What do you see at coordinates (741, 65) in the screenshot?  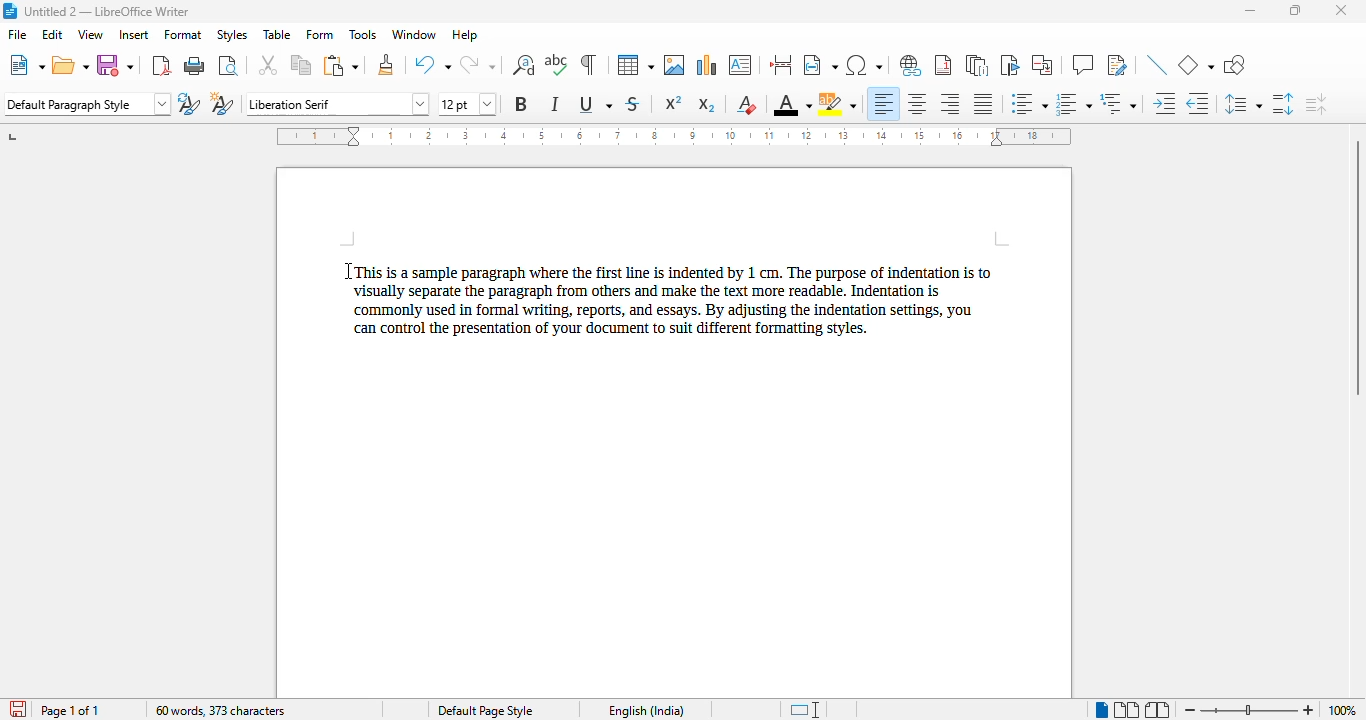 I see `insert text box` at bounding box center [741, 65].